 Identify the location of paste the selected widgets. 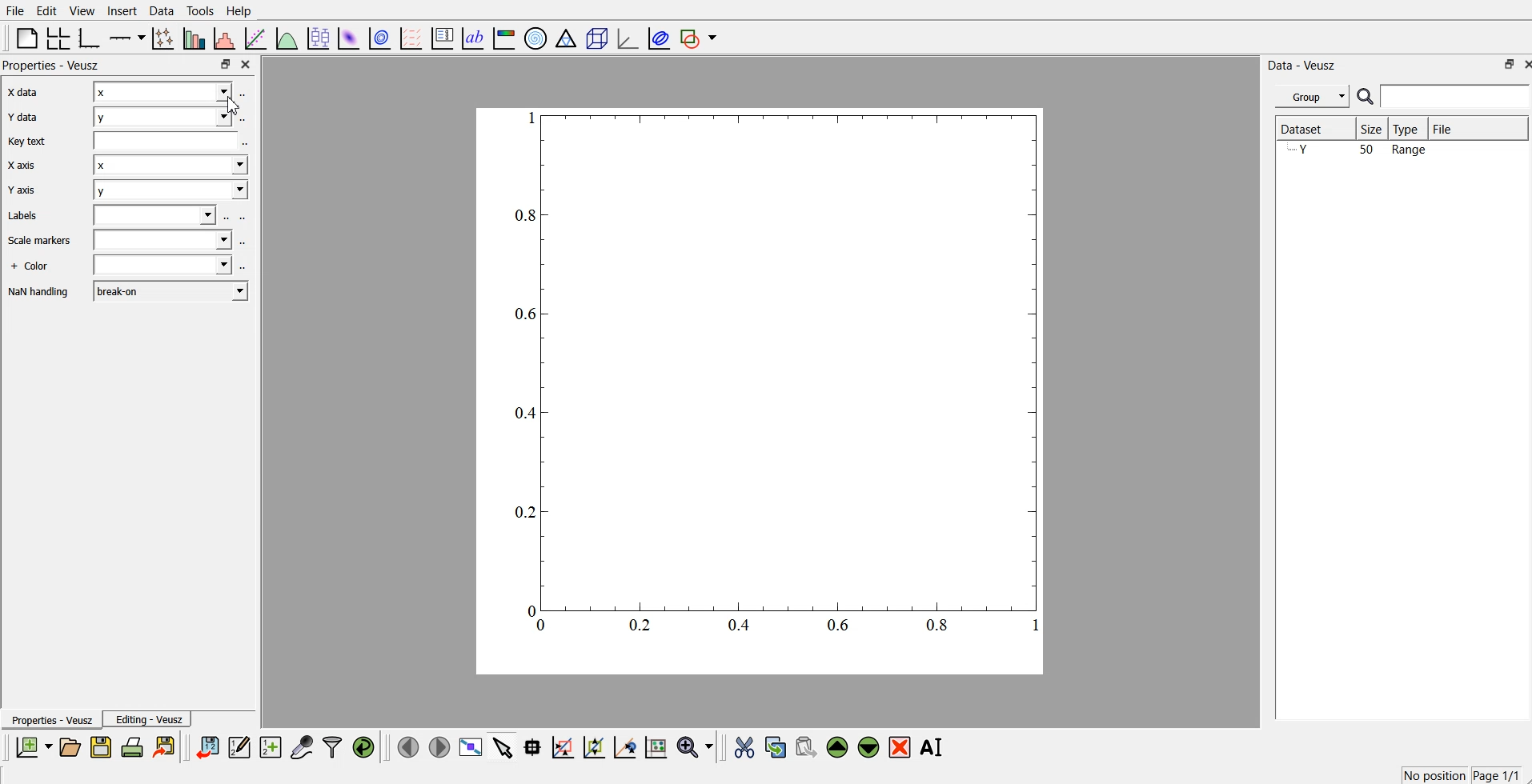
(806, 748).